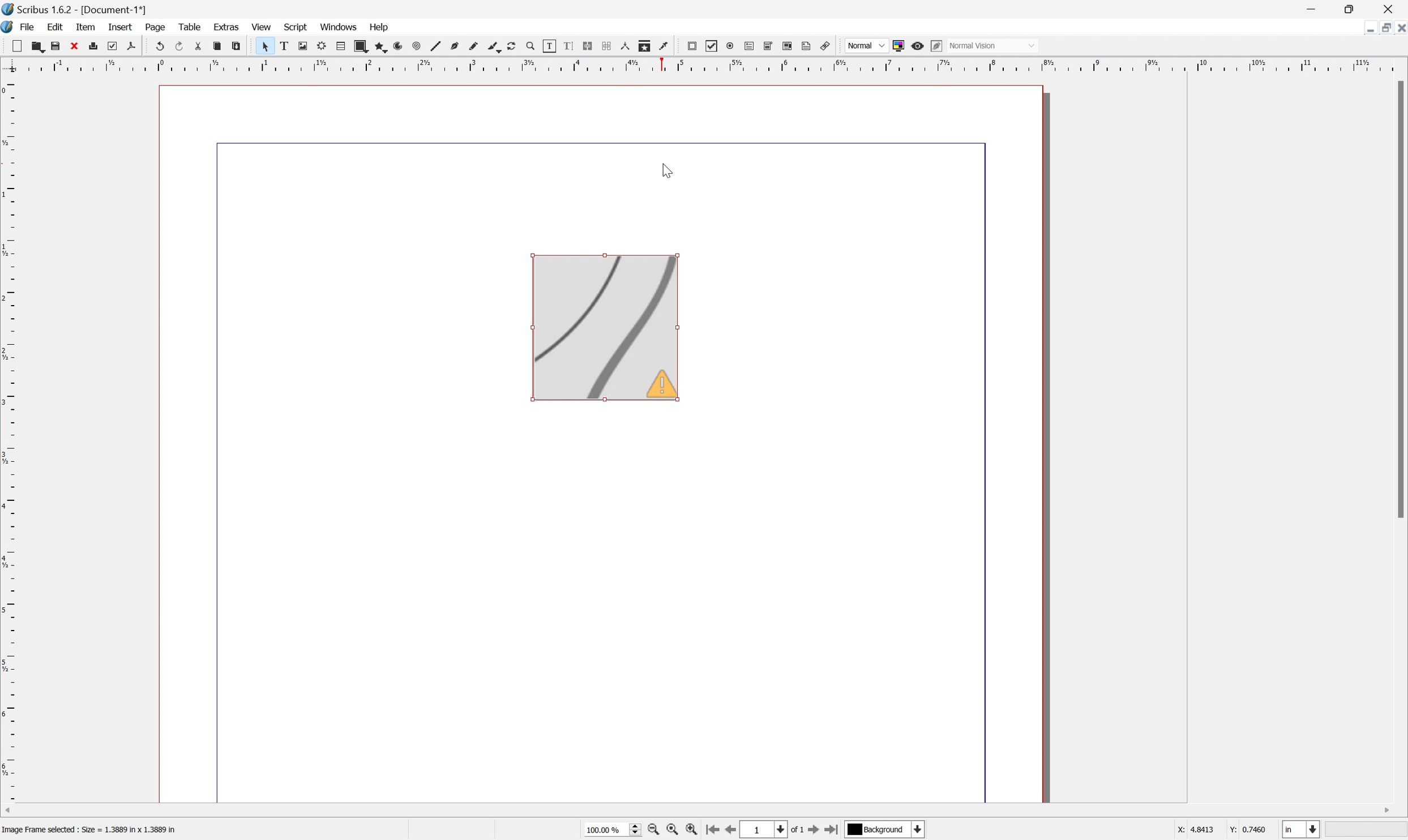  Describe the element at coordinates (536, 48) in the screenshot. I see `Zoom in or out` at that location.